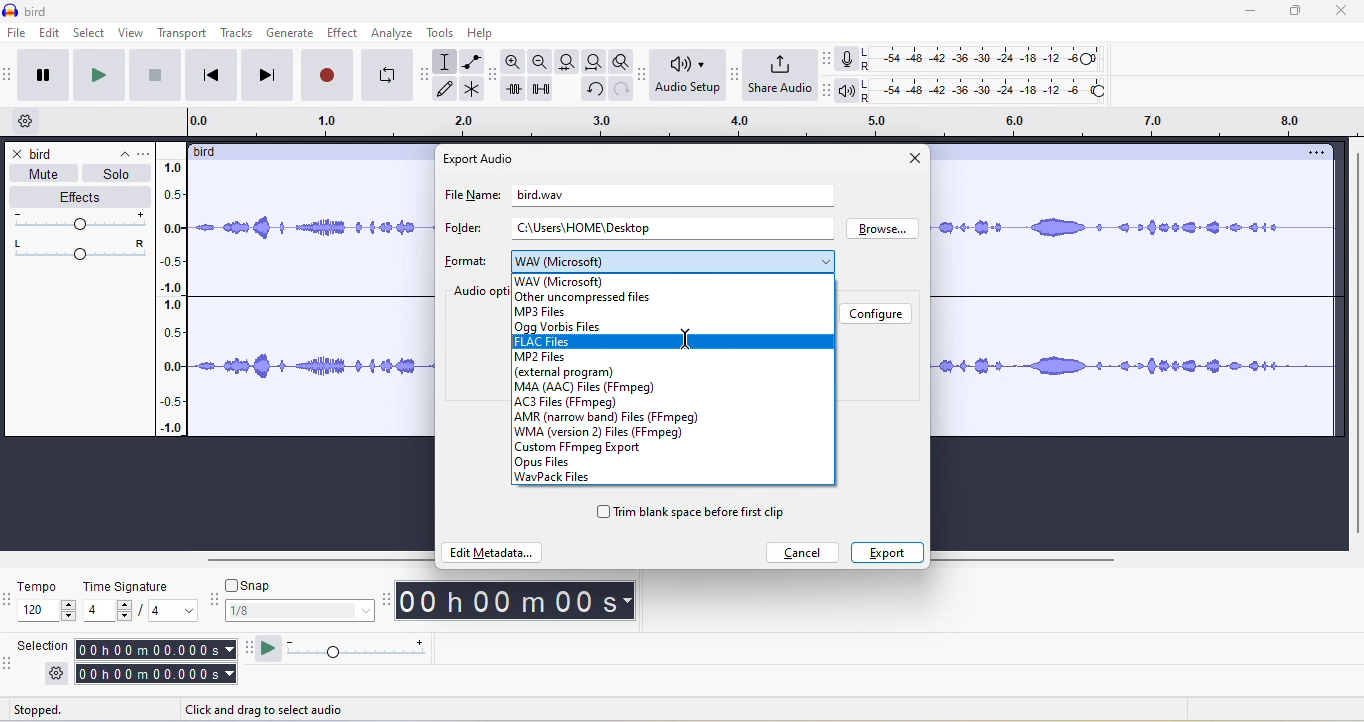  Describe the element at coordinates (217, 603) in the screenshot. I see `audacity snapping toolbar` at that location.